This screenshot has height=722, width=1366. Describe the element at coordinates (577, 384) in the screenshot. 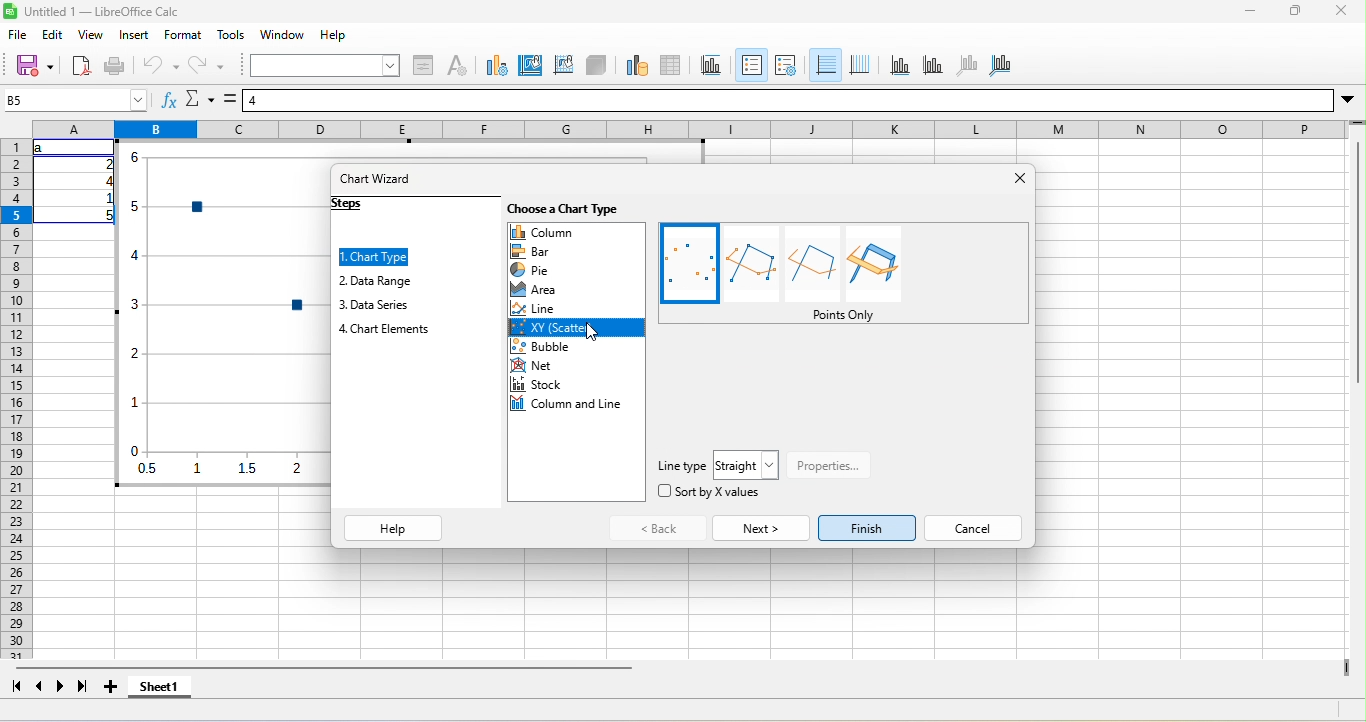

I see `stock` at that location.